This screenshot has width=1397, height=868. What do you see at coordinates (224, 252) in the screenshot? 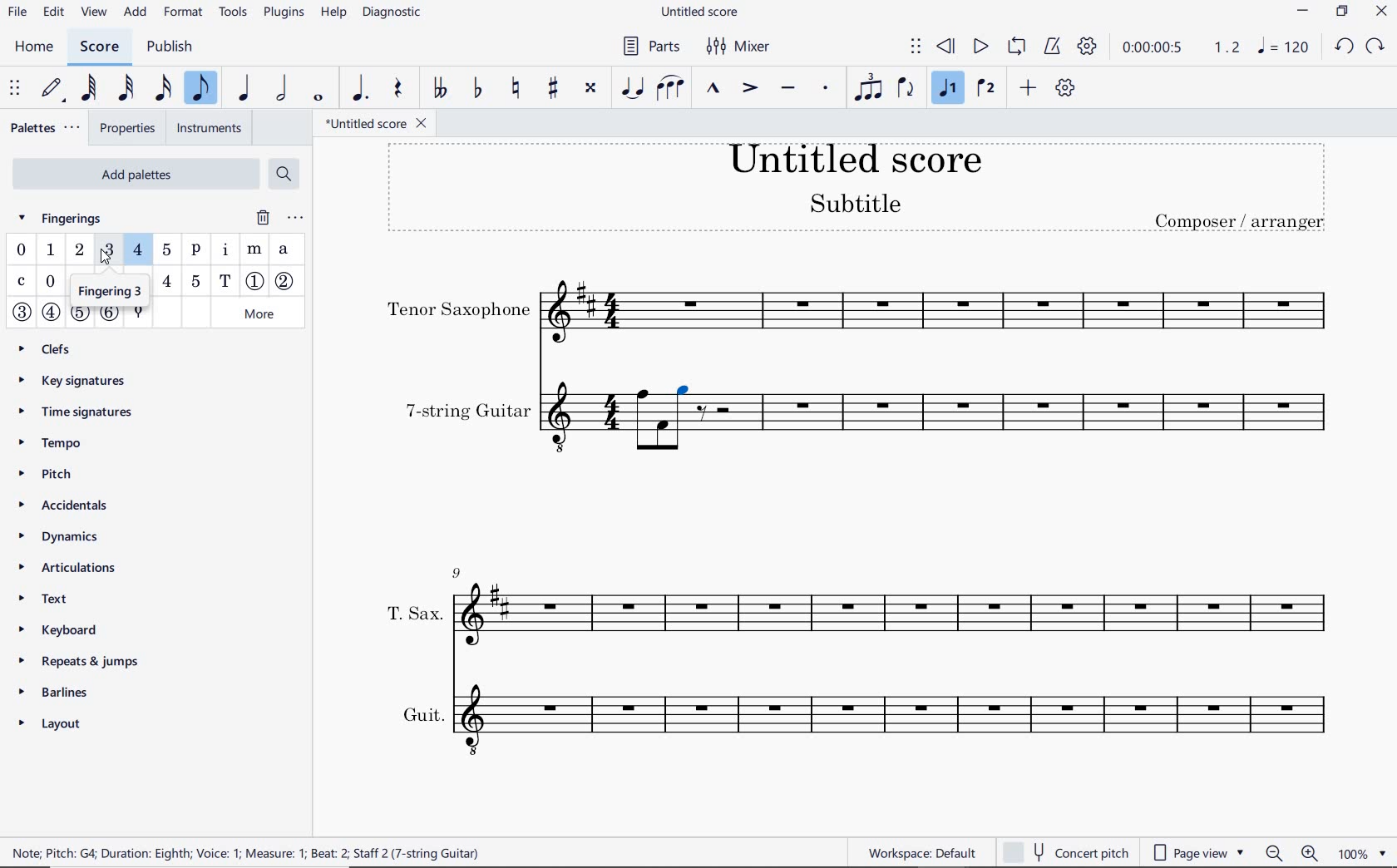
I see `rh guitar fingering i` at bounding box center [224, 252].